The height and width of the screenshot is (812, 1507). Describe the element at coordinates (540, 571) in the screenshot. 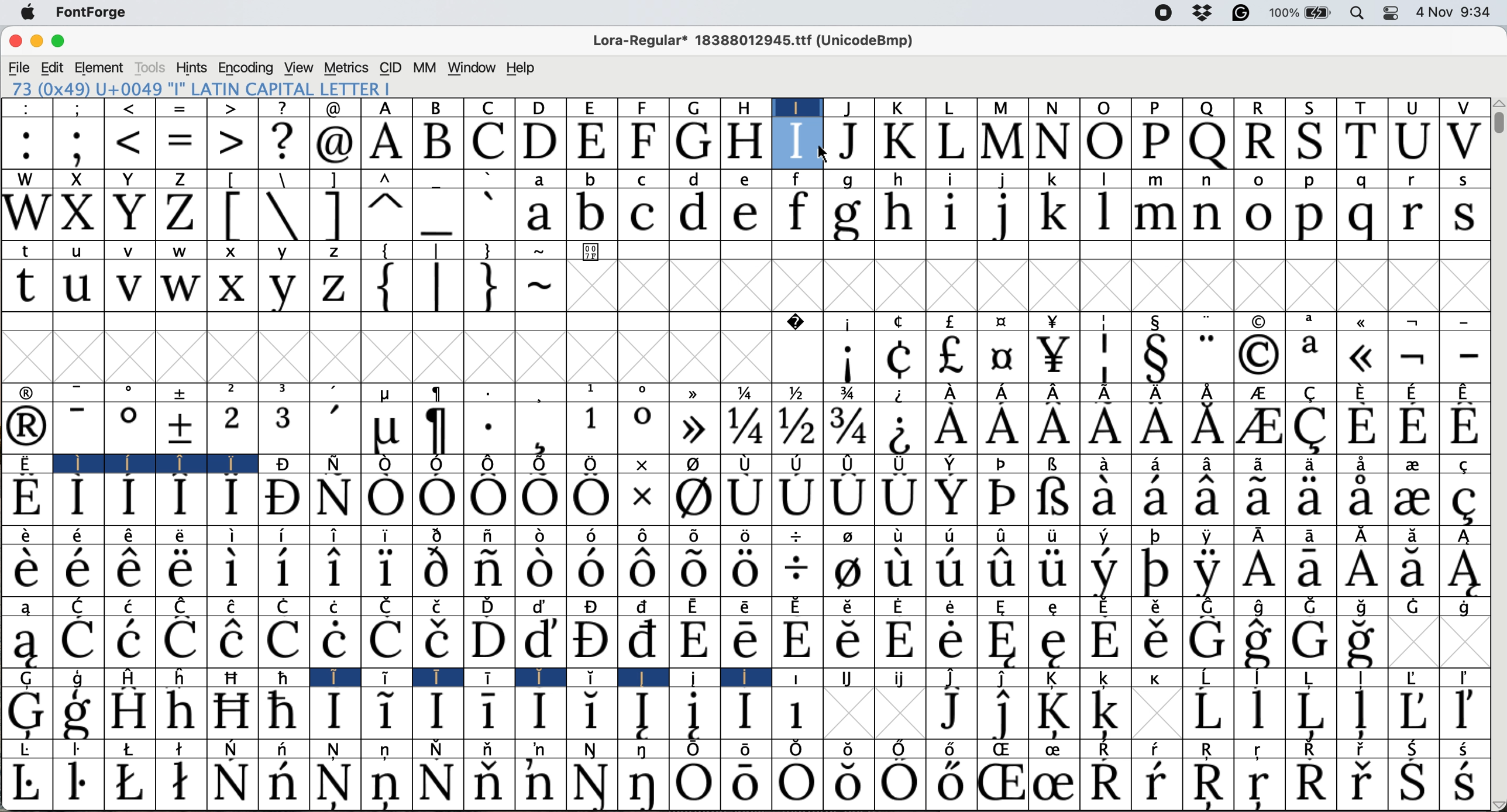

I see `Symbol` at that location.